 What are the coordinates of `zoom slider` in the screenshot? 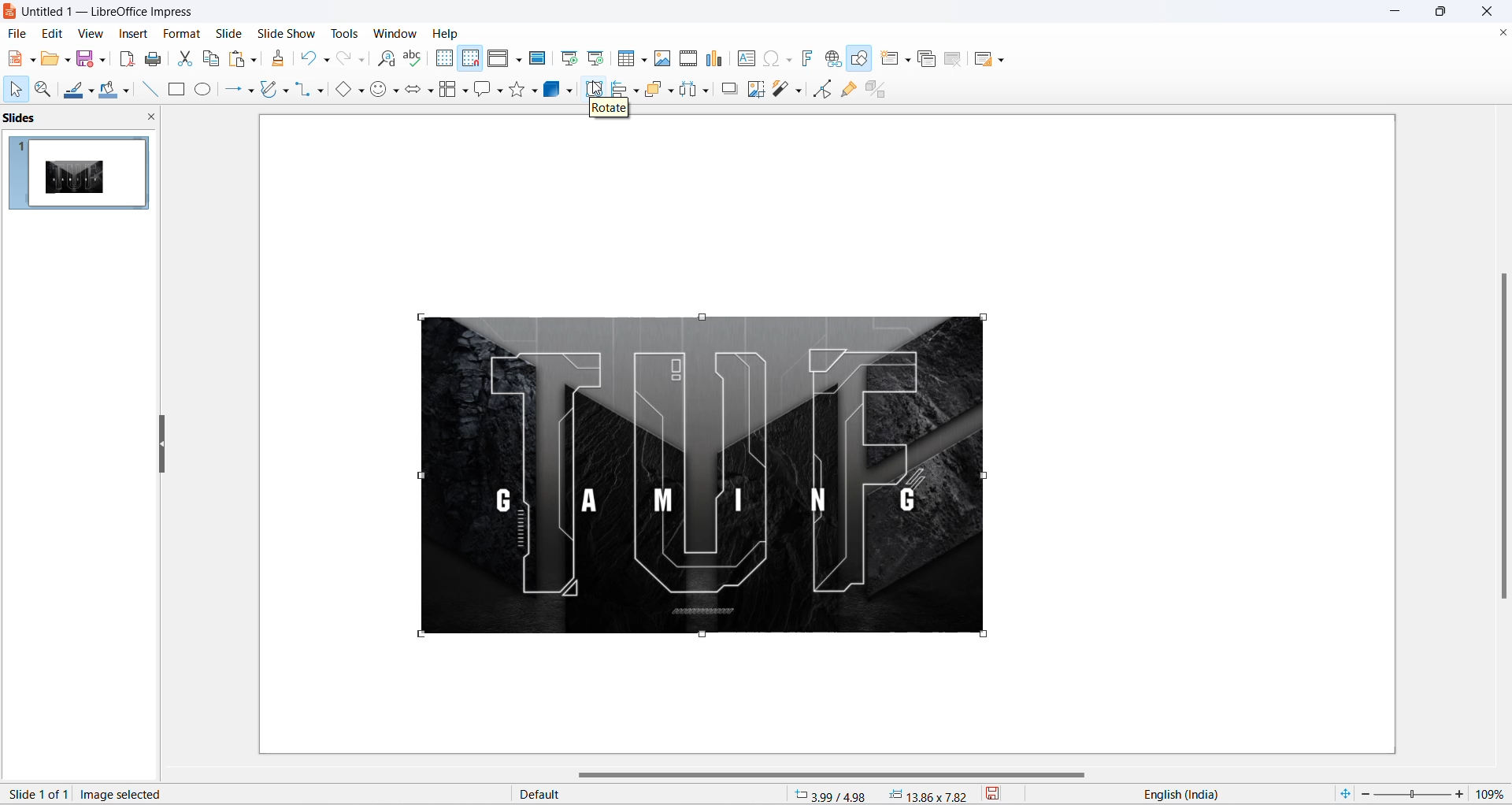 It's located at (1411, 795).